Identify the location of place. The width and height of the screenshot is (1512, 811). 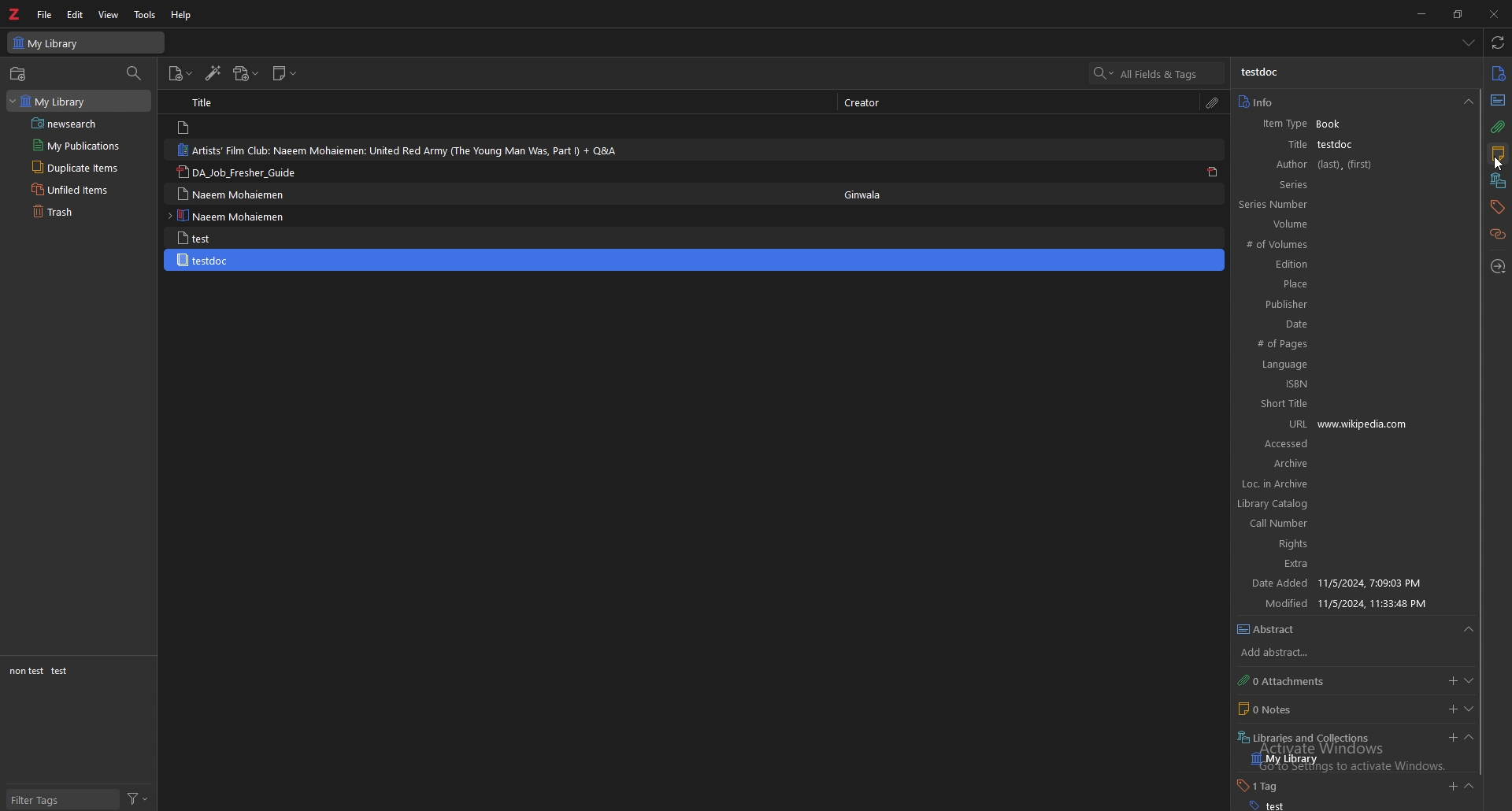
(1340, 283).